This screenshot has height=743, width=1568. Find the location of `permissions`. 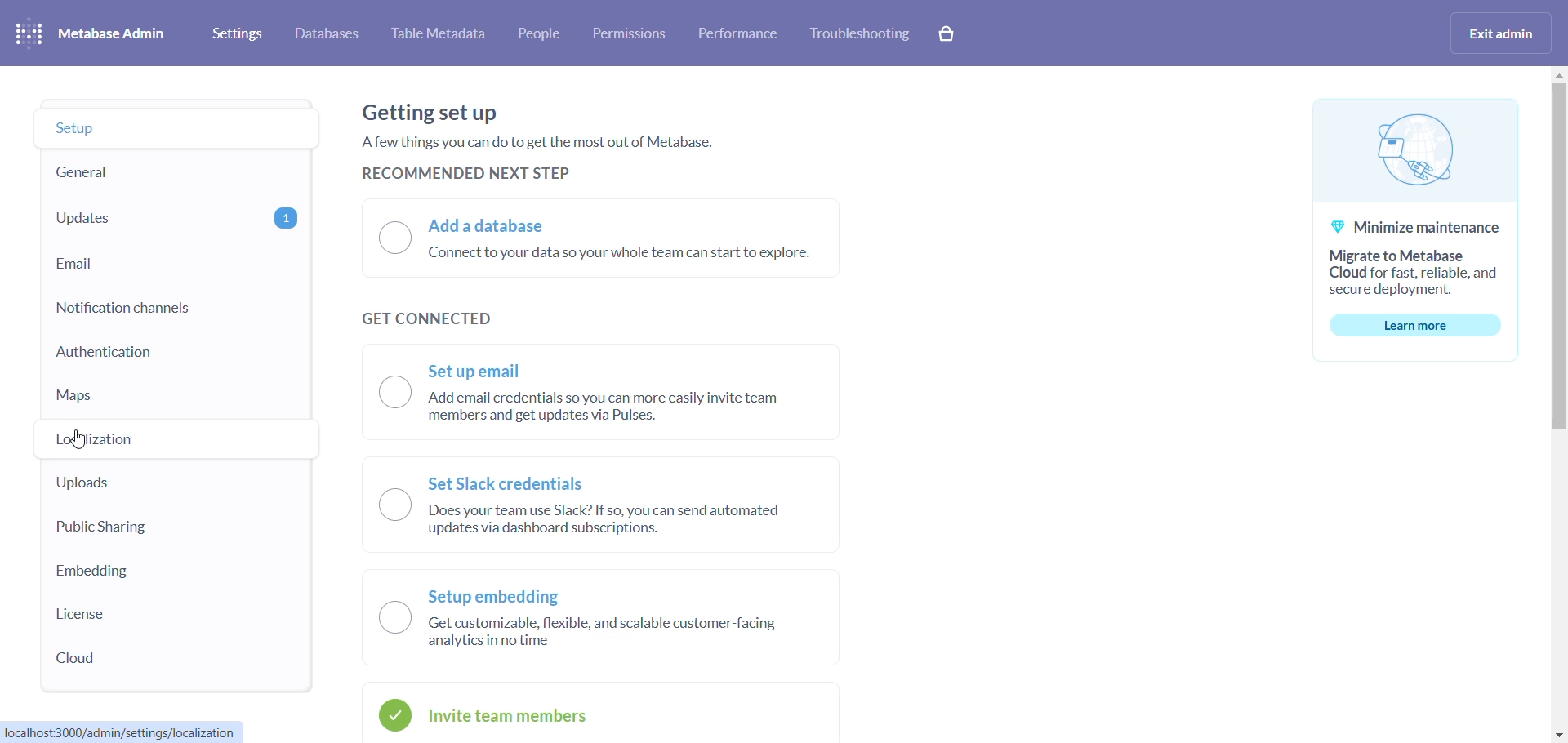

permissions is located at coordinates (633, 34).